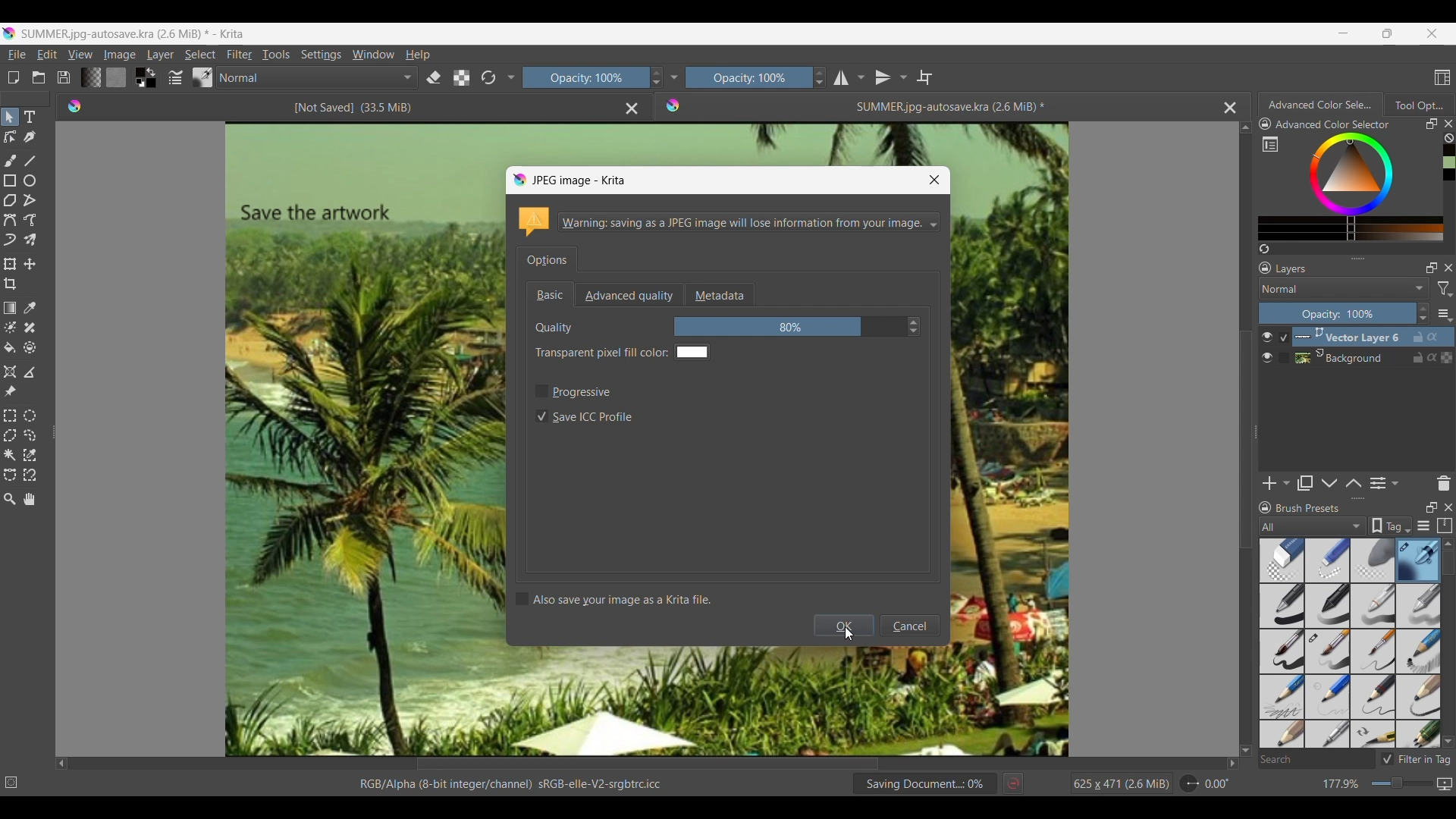 The image size is (1456, 819). What do you see at coordinates (31, 372) in the screenshot?
I see `Measure distance between two points` at bounding box center [31, 372].